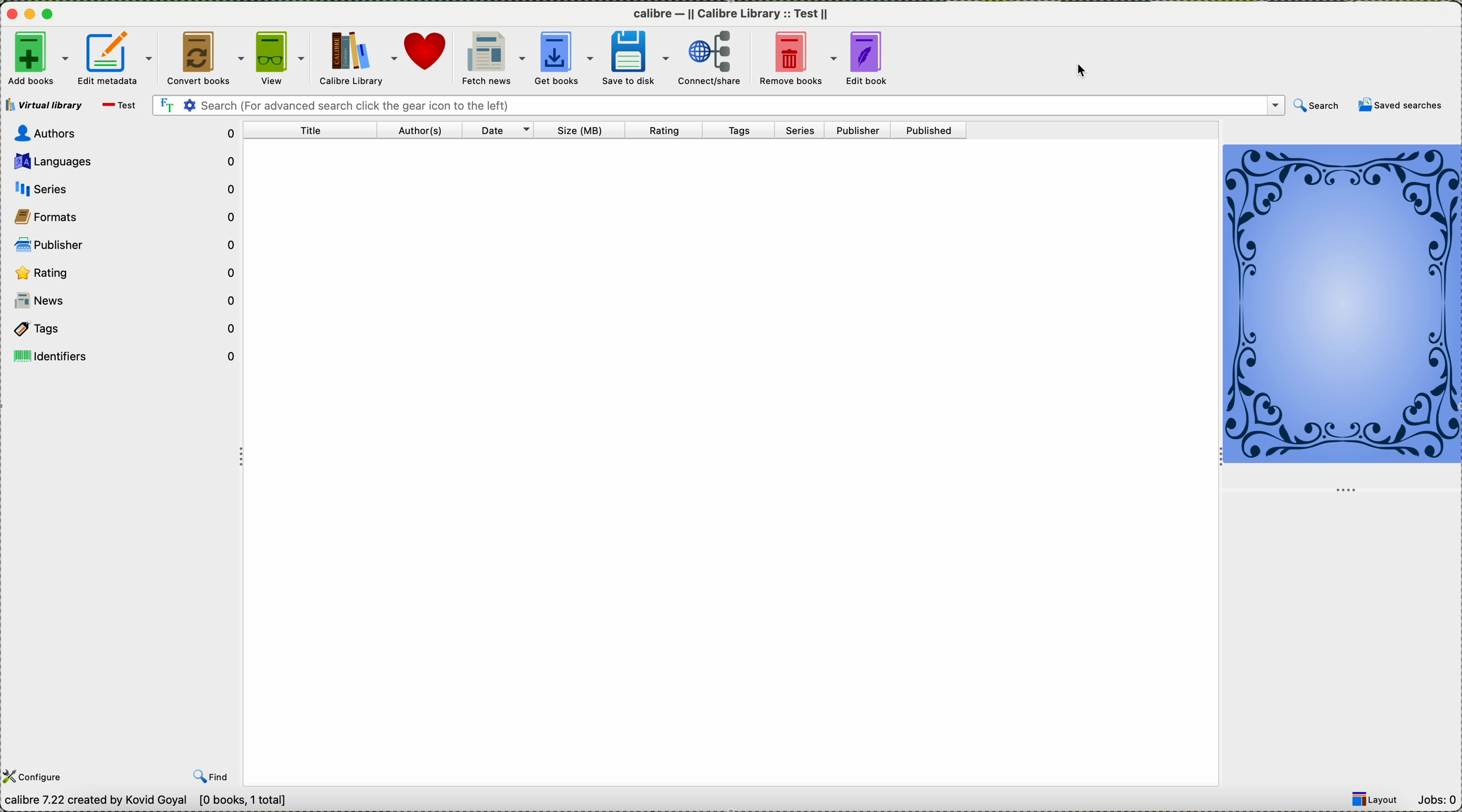 The width and height of the screenshot is (1462, 812). Describe the element at coordinates (126, 243) in the screenshot. I see `publisher` at that location.